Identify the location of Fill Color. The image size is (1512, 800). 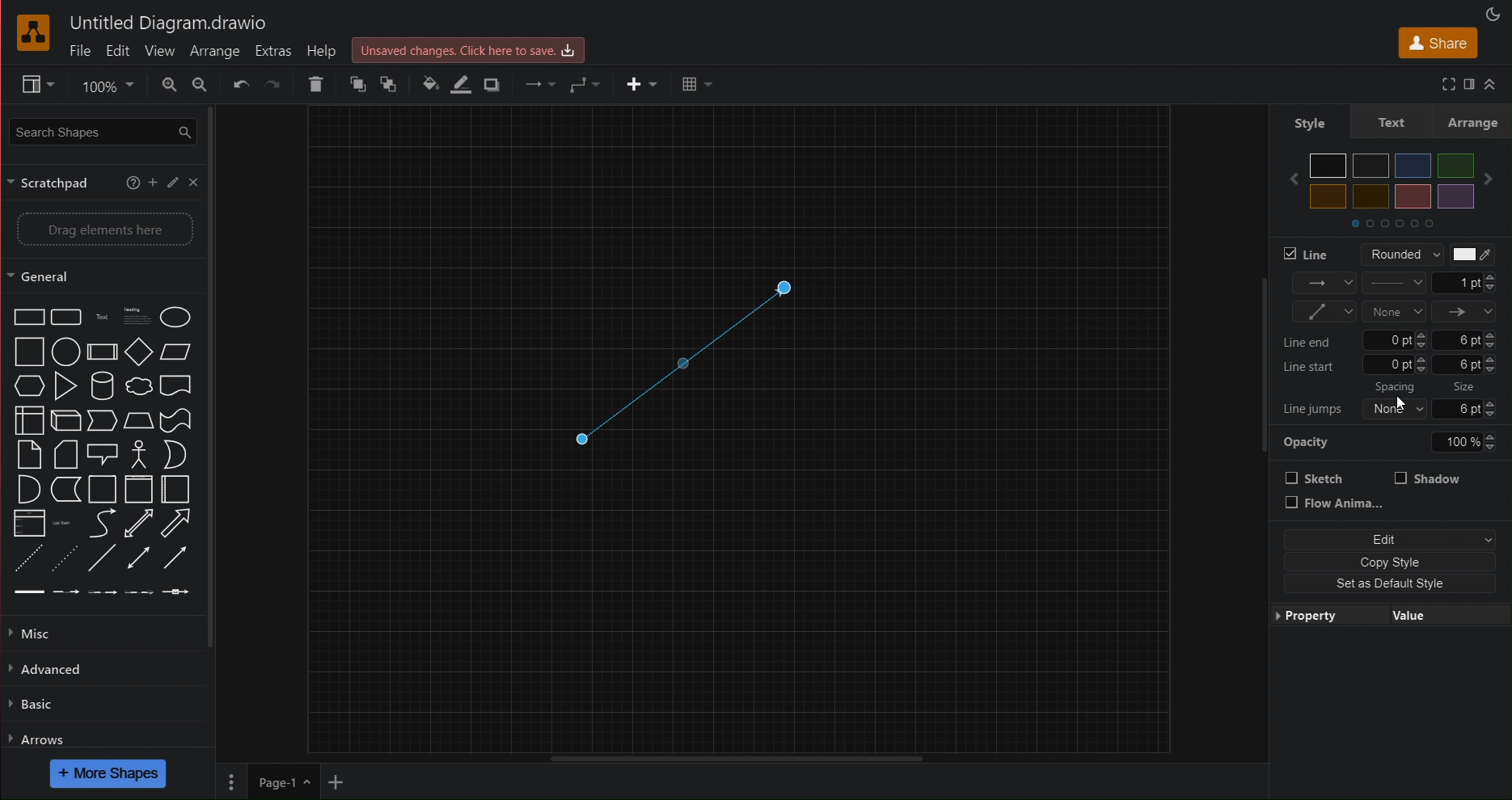
(424, 84).